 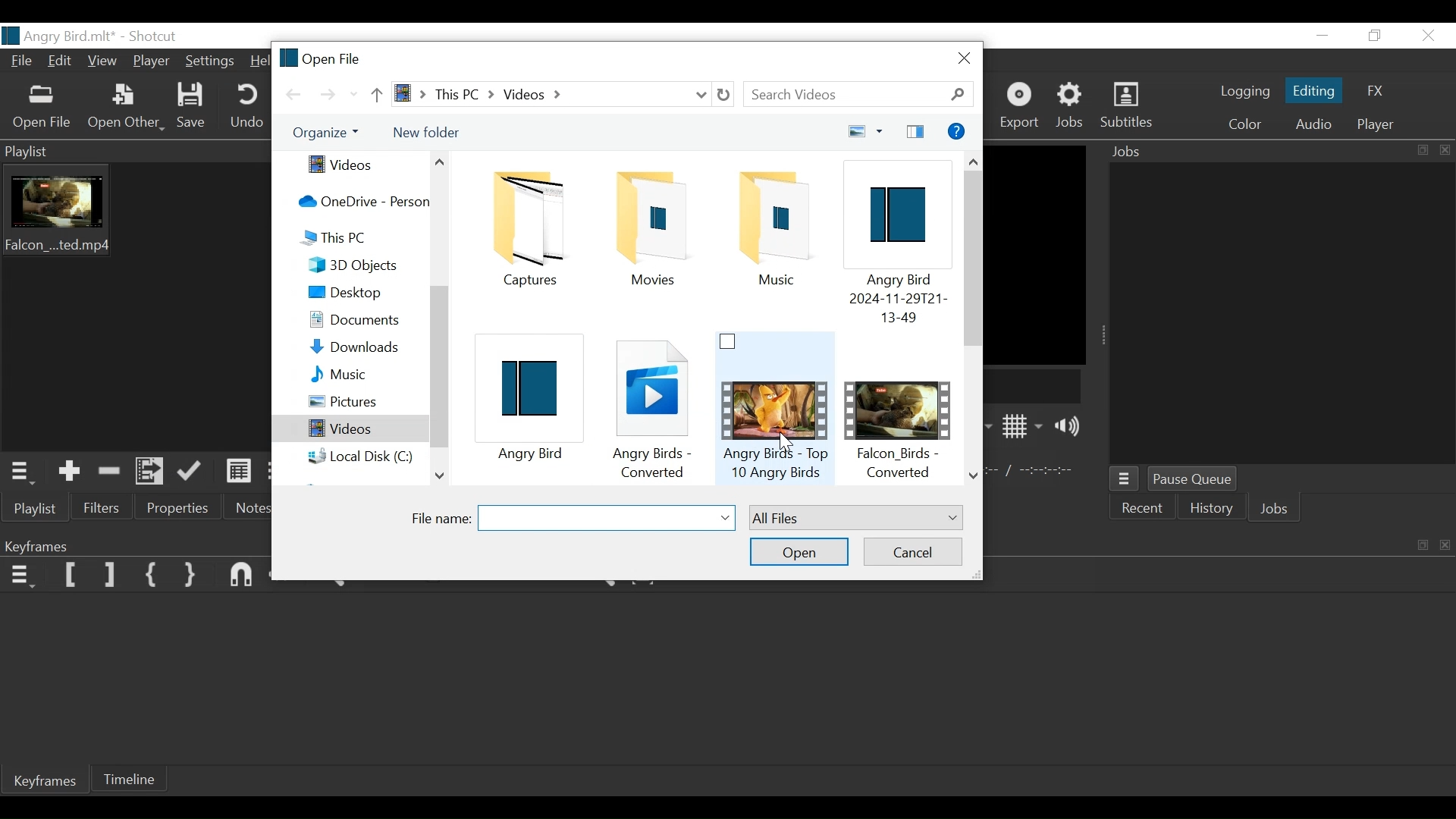 I want to click on Show your preview pane, so click(x=913, y=131).